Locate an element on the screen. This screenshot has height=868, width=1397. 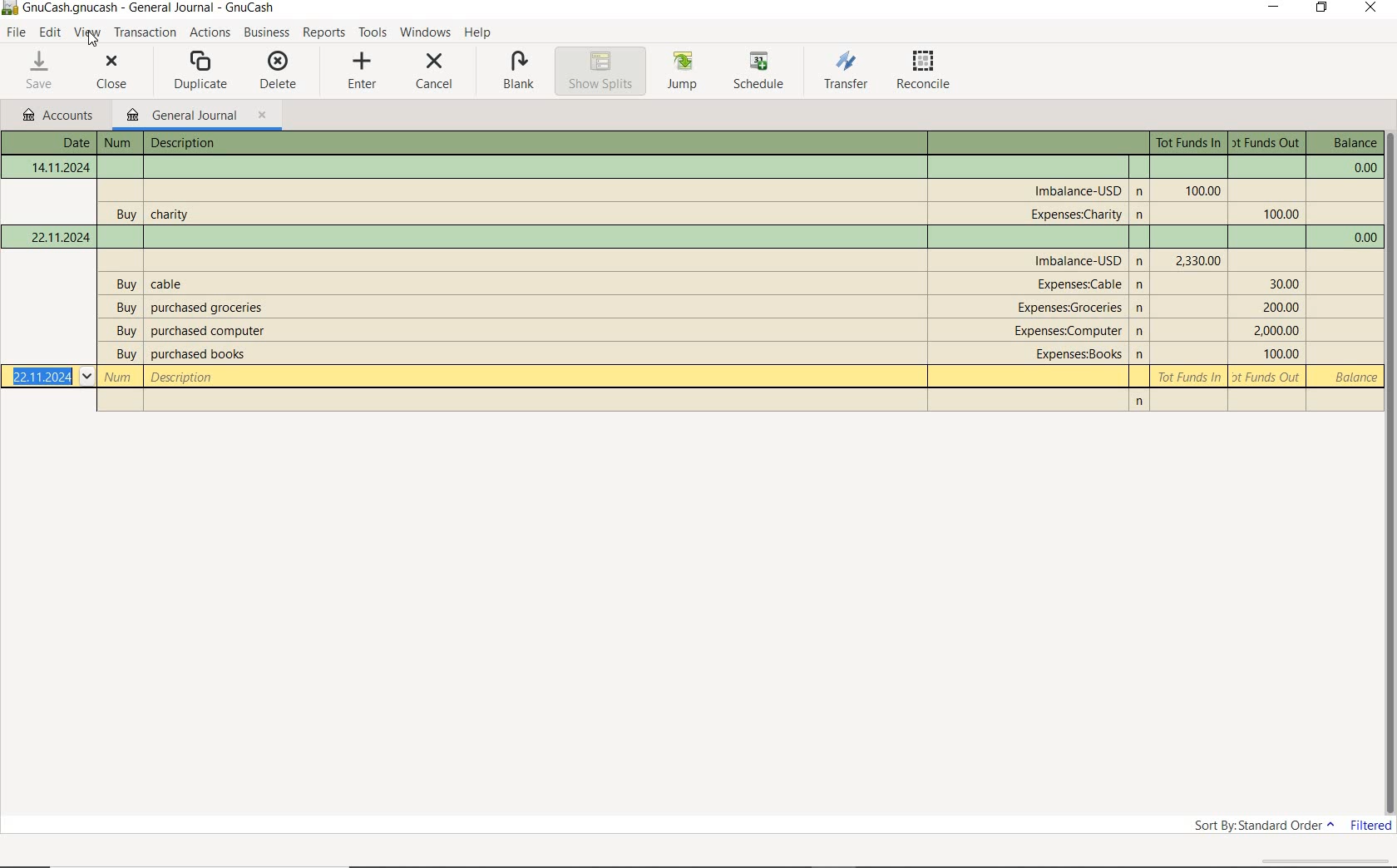
Number is located at coordinates (117, 143).